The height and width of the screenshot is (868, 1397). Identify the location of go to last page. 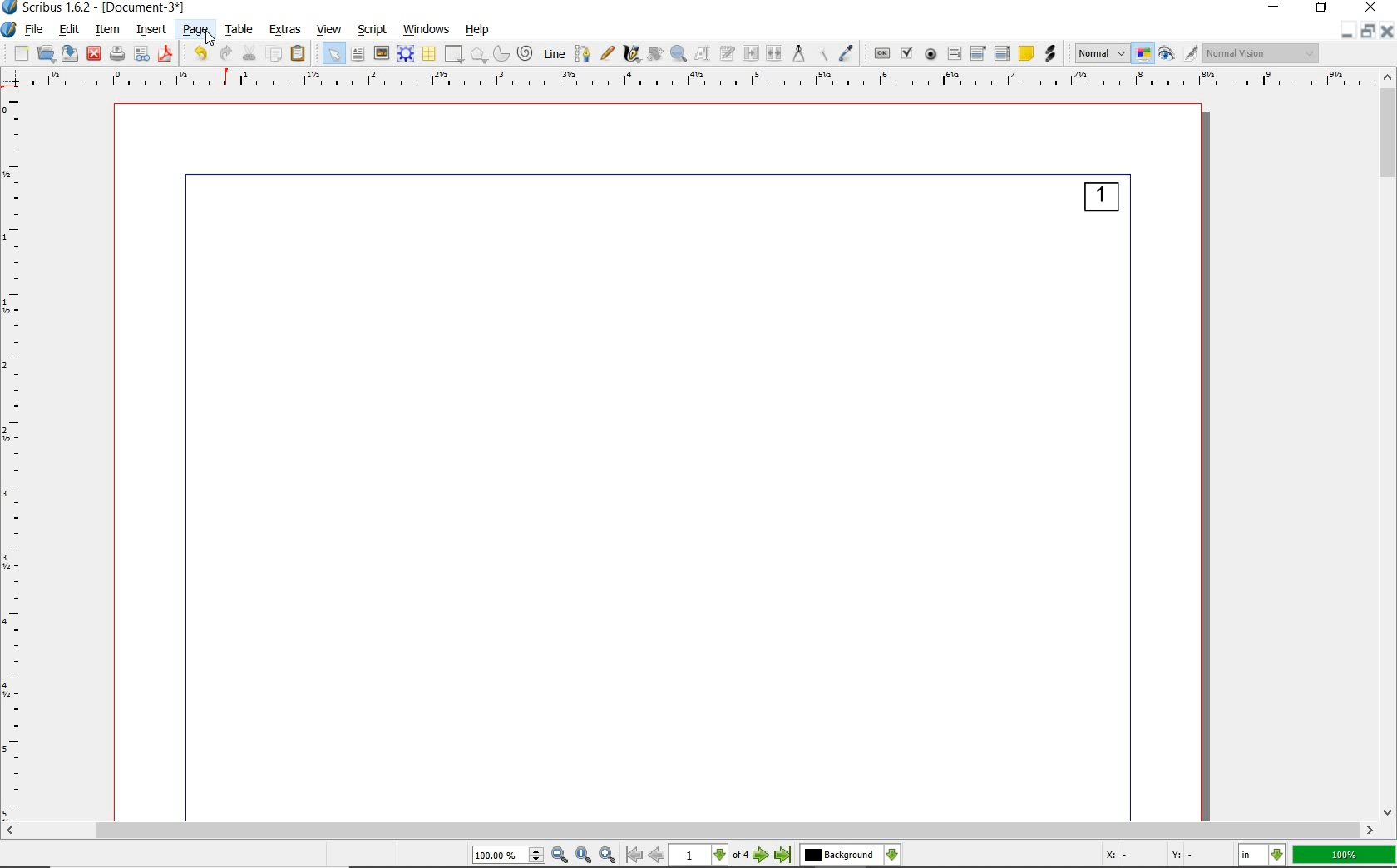
(783, 856).